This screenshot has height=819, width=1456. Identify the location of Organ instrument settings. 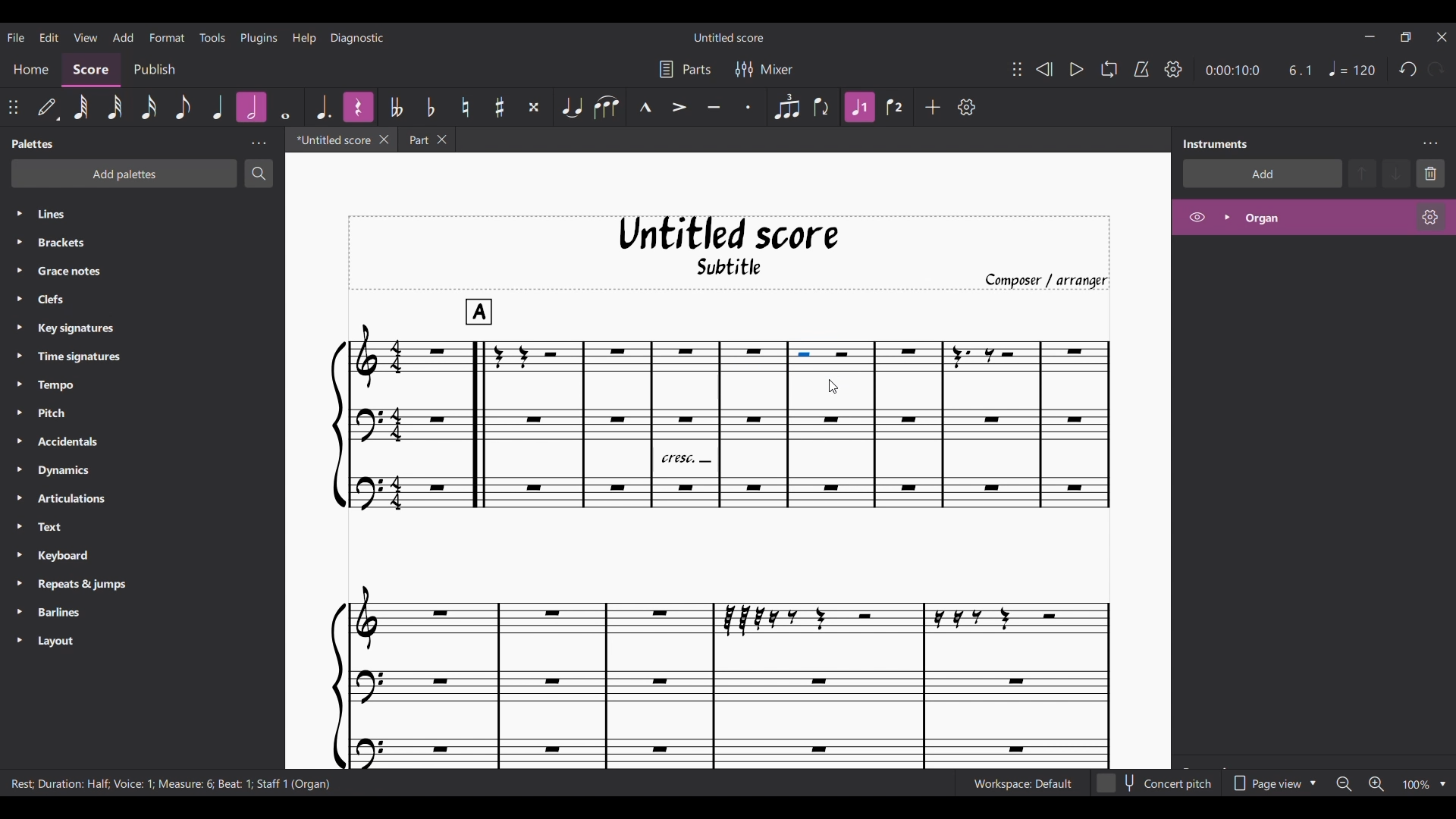
(1430, 217).